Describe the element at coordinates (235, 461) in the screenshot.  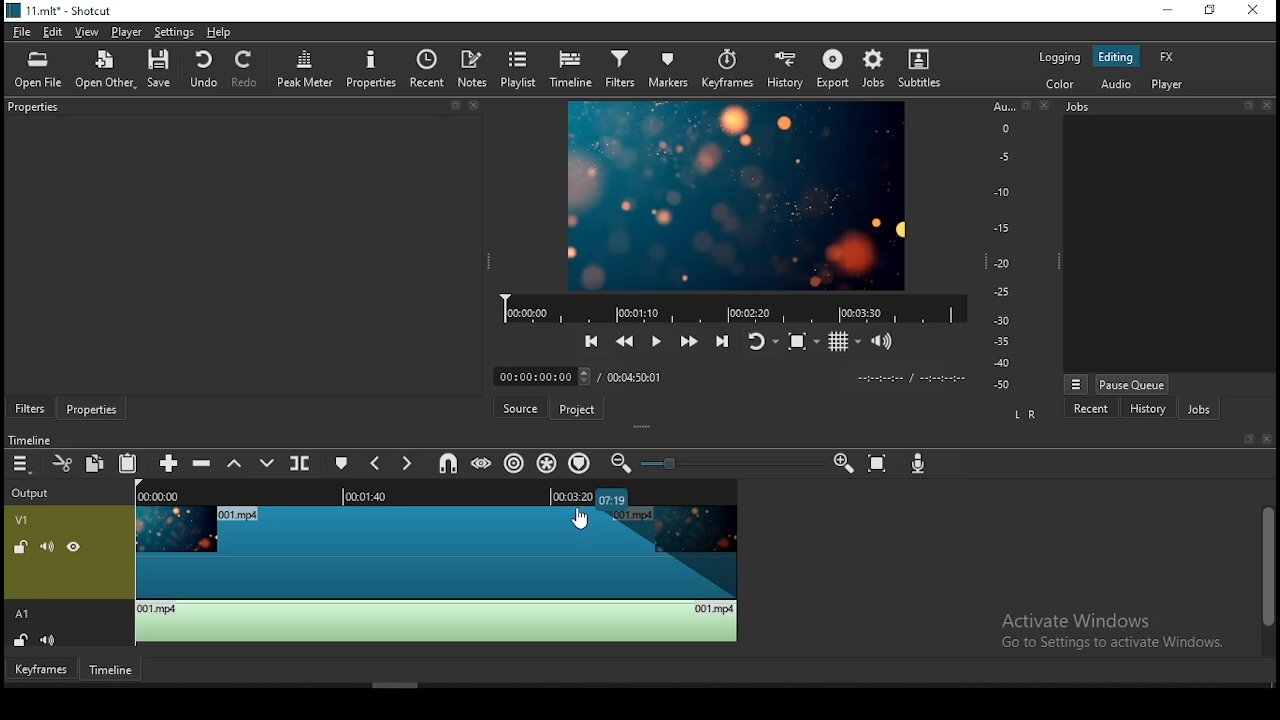
I see `lift` at that location.